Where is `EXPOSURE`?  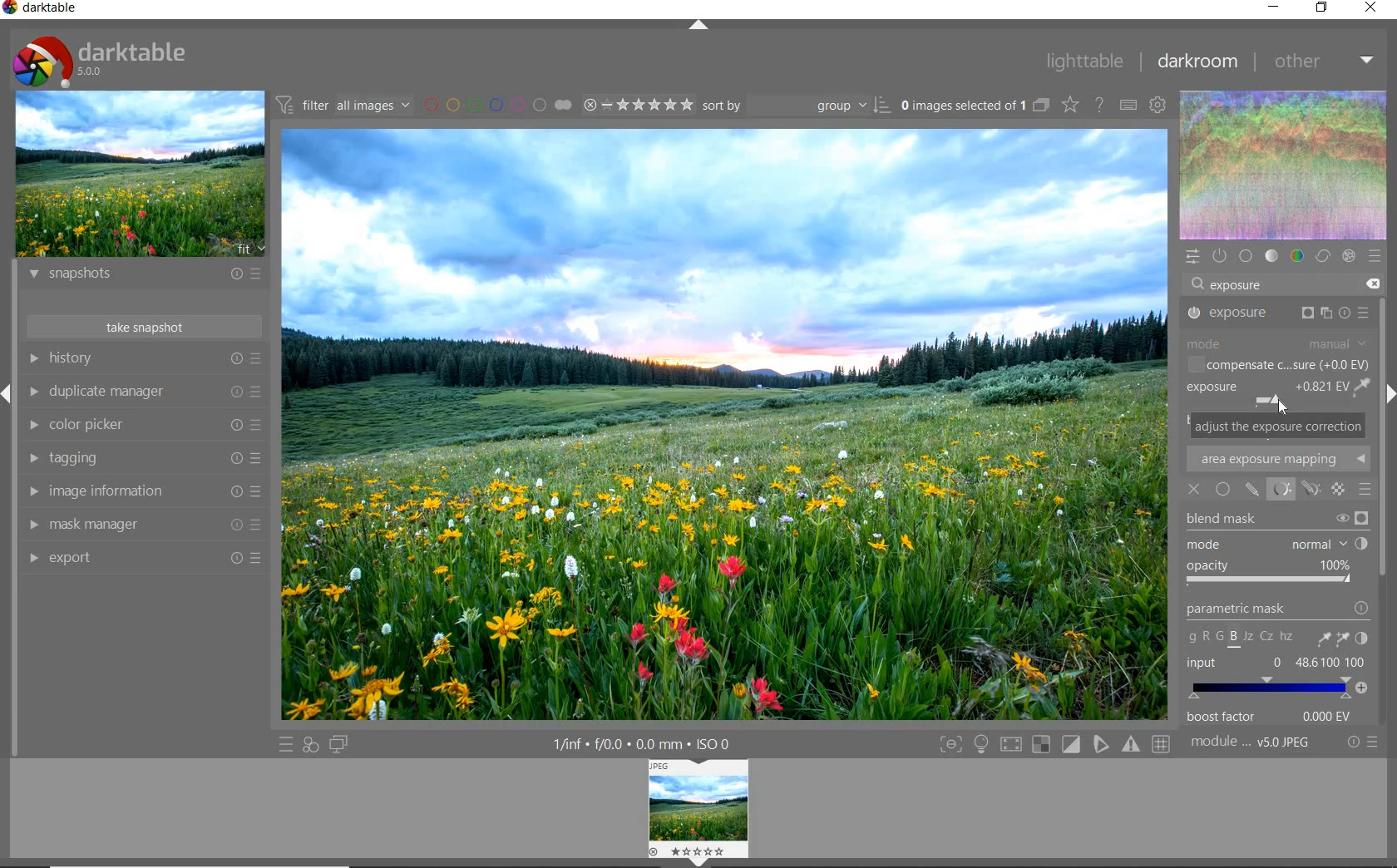
EXPOSURE is located at coordinates (1281, 313).